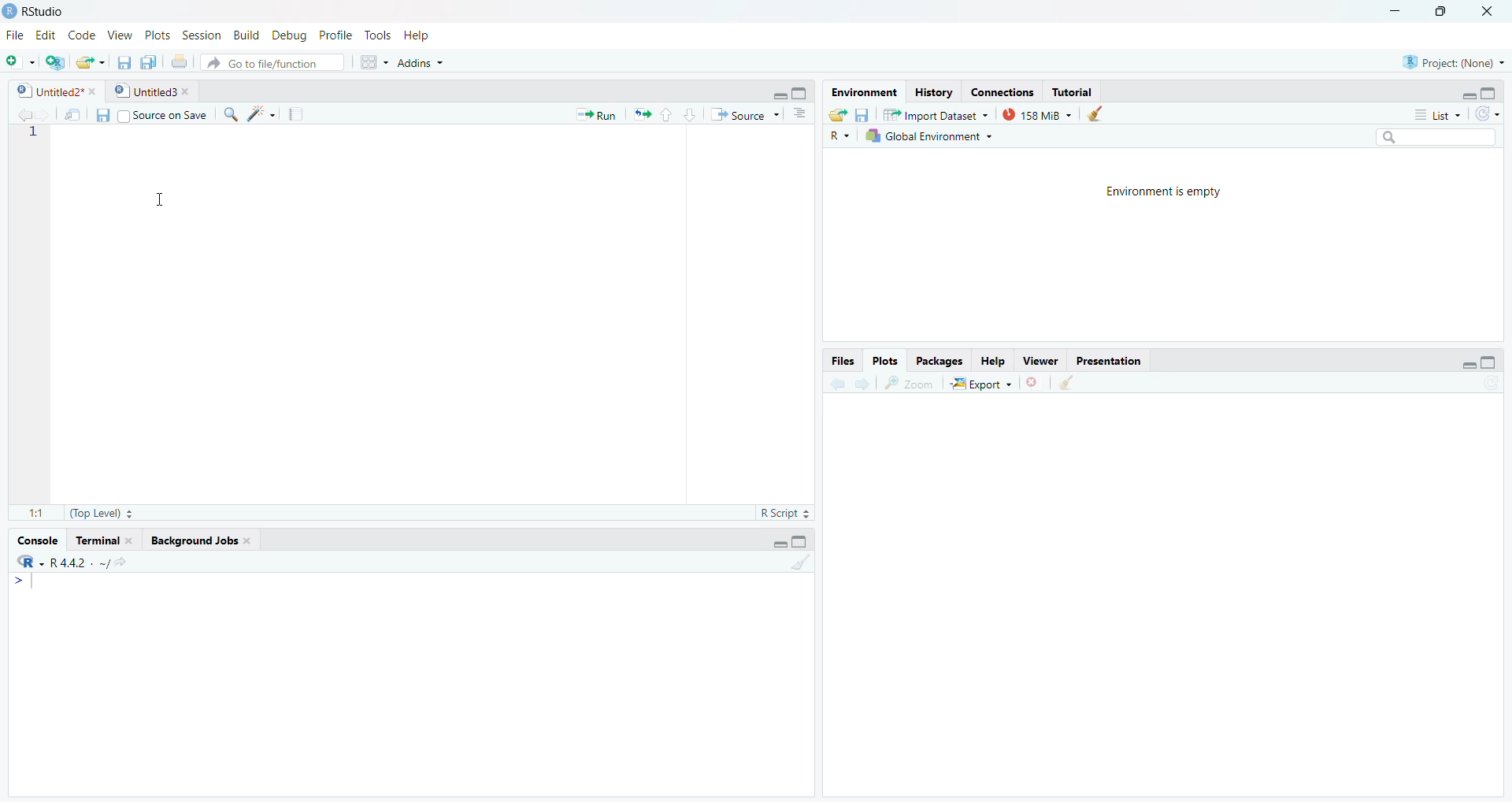 Image resolution: width=1512 pixels, height=802 pixels. I want to click on Rerun the previous code, so click(664, 113).